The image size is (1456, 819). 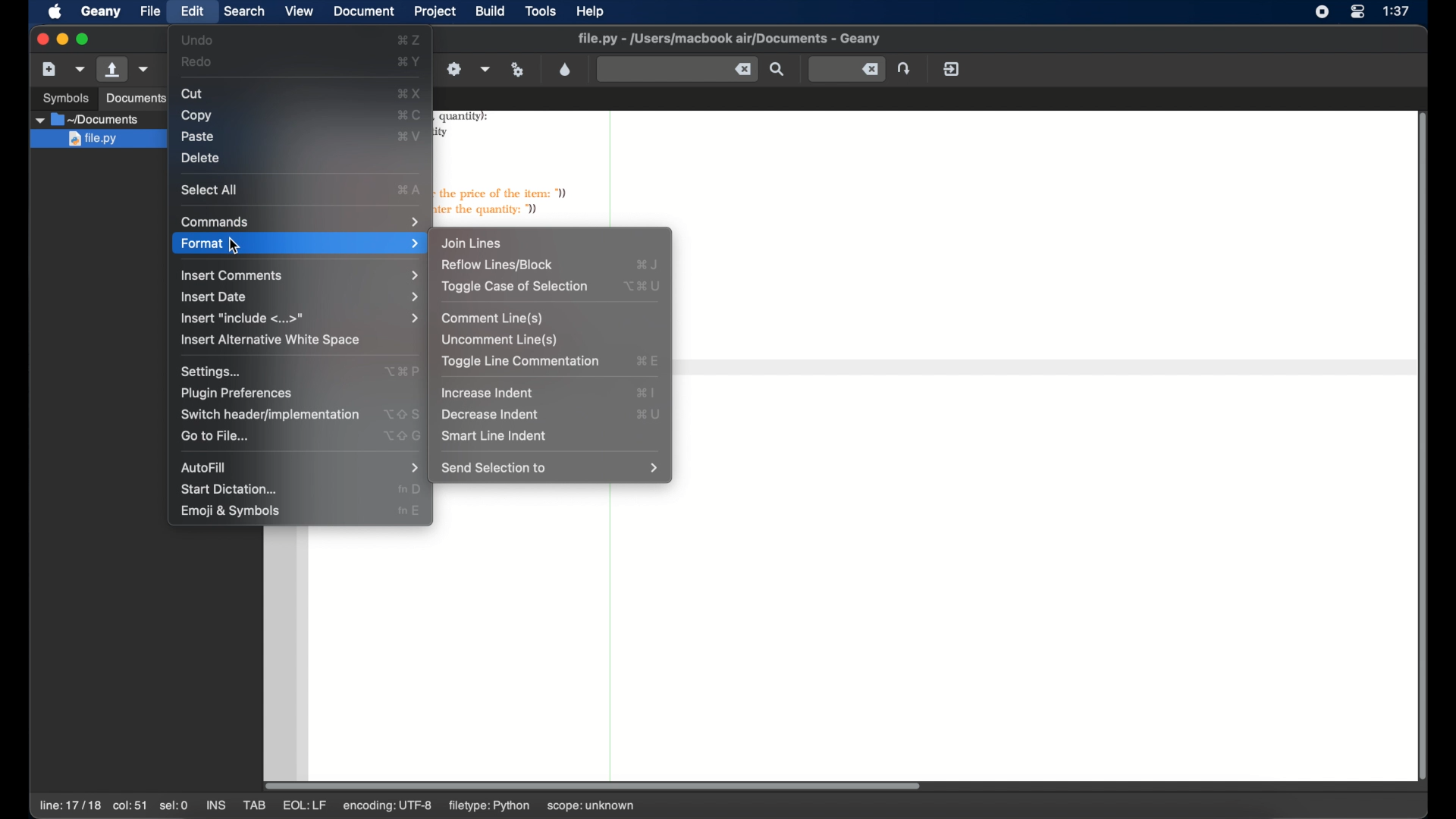 What do you see at coordinates (519, 69) in the screenshot?
I see `run or view current file` at bounding box center [519, 69].